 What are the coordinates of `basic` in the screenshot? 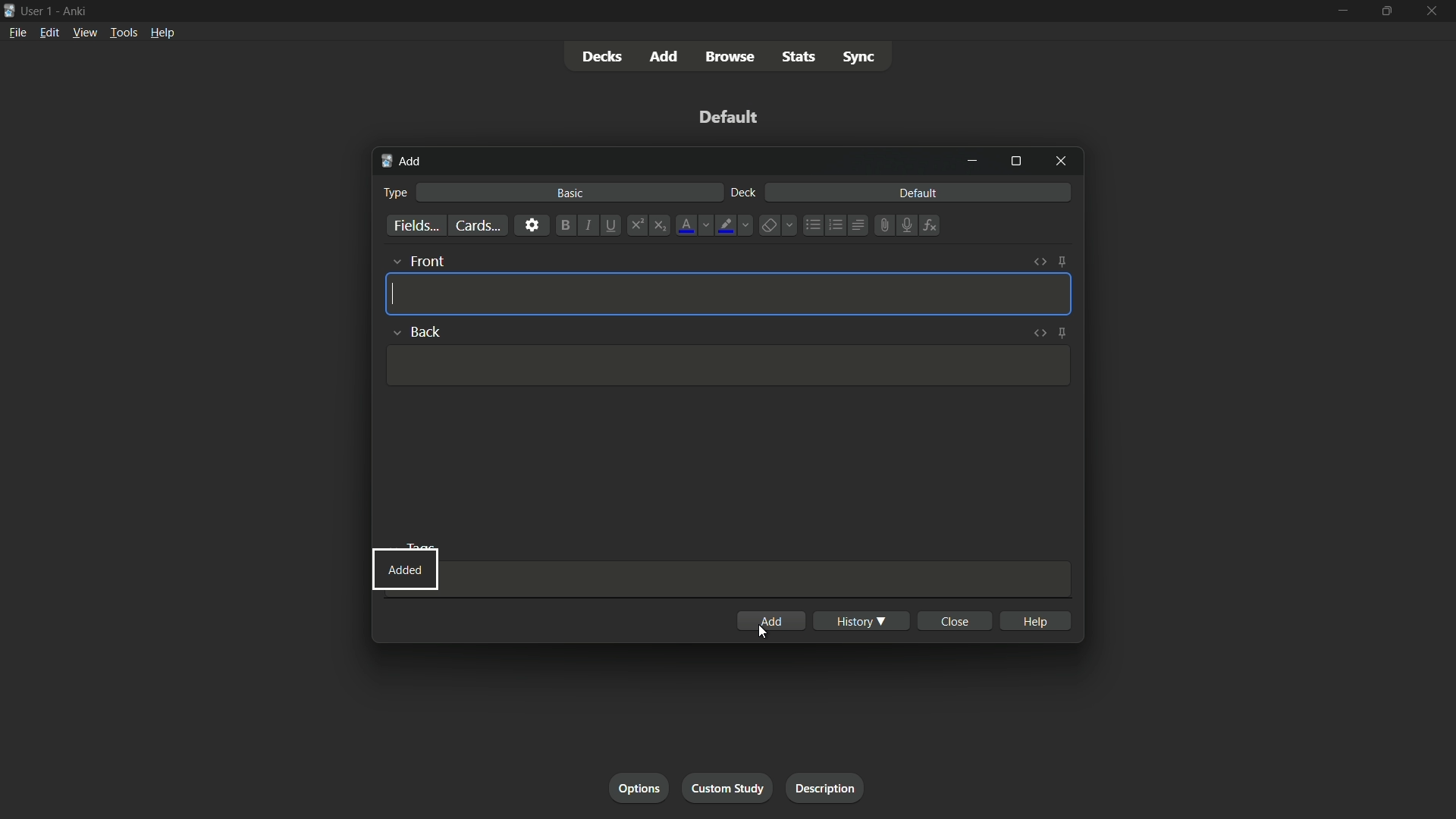 It's located at (570, 193).